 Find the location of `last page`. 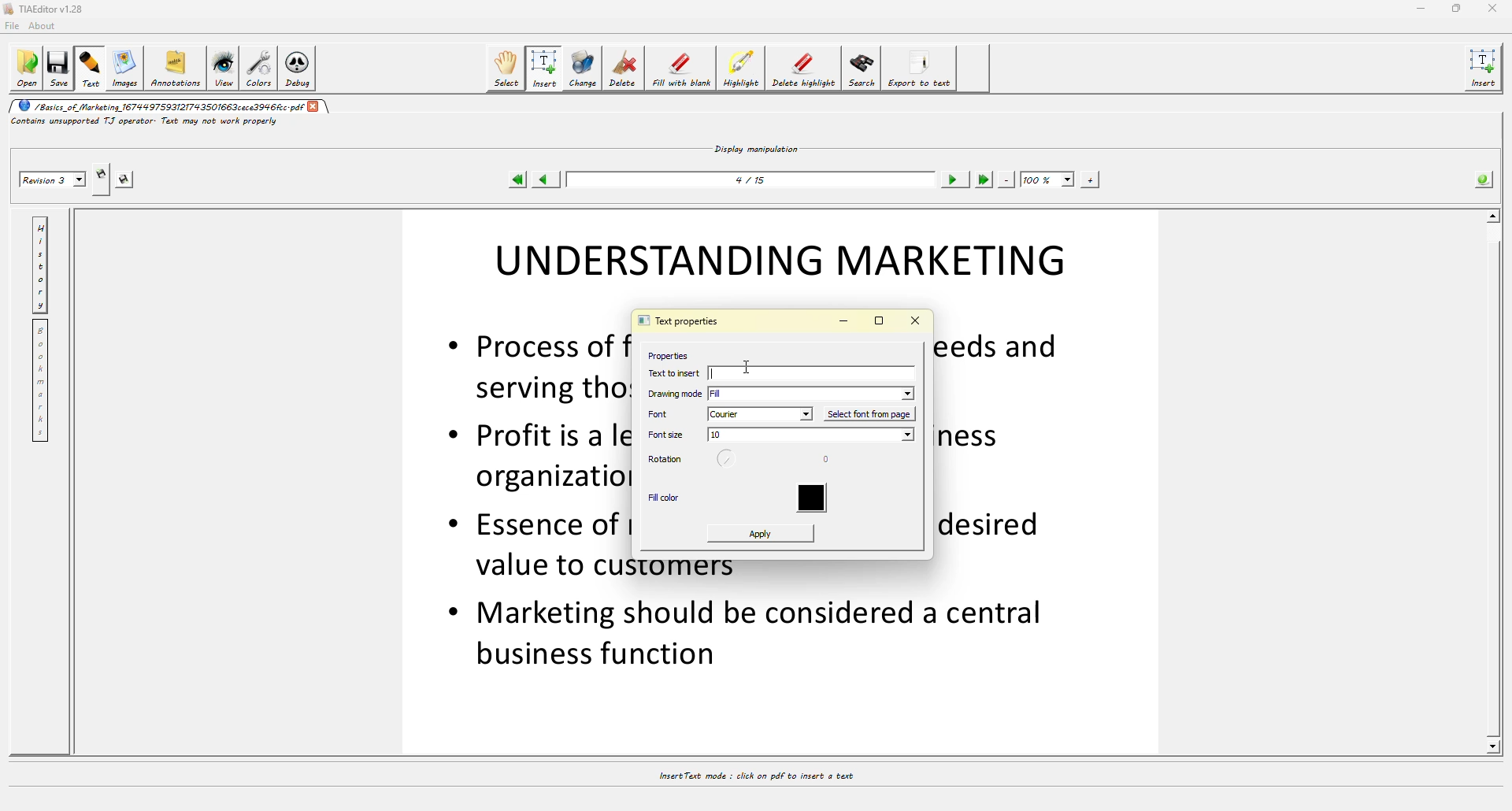

last page is located at coordinates (984, 180).